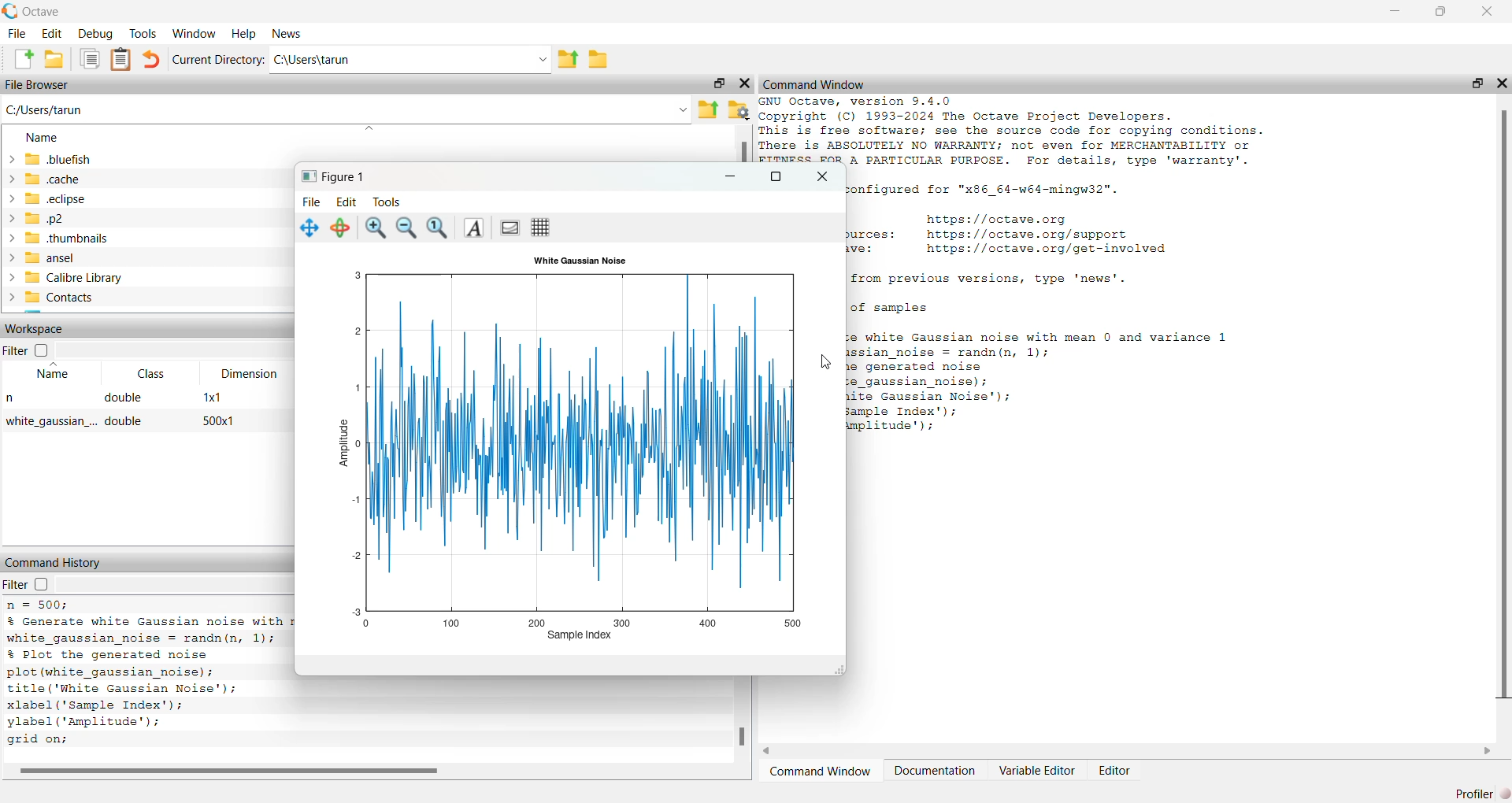 This screenshot has width=1512, height=803. What do you see at coordinates (57, 561) in the screenshot?
I see `Command History` at bounding box center [57, 561].